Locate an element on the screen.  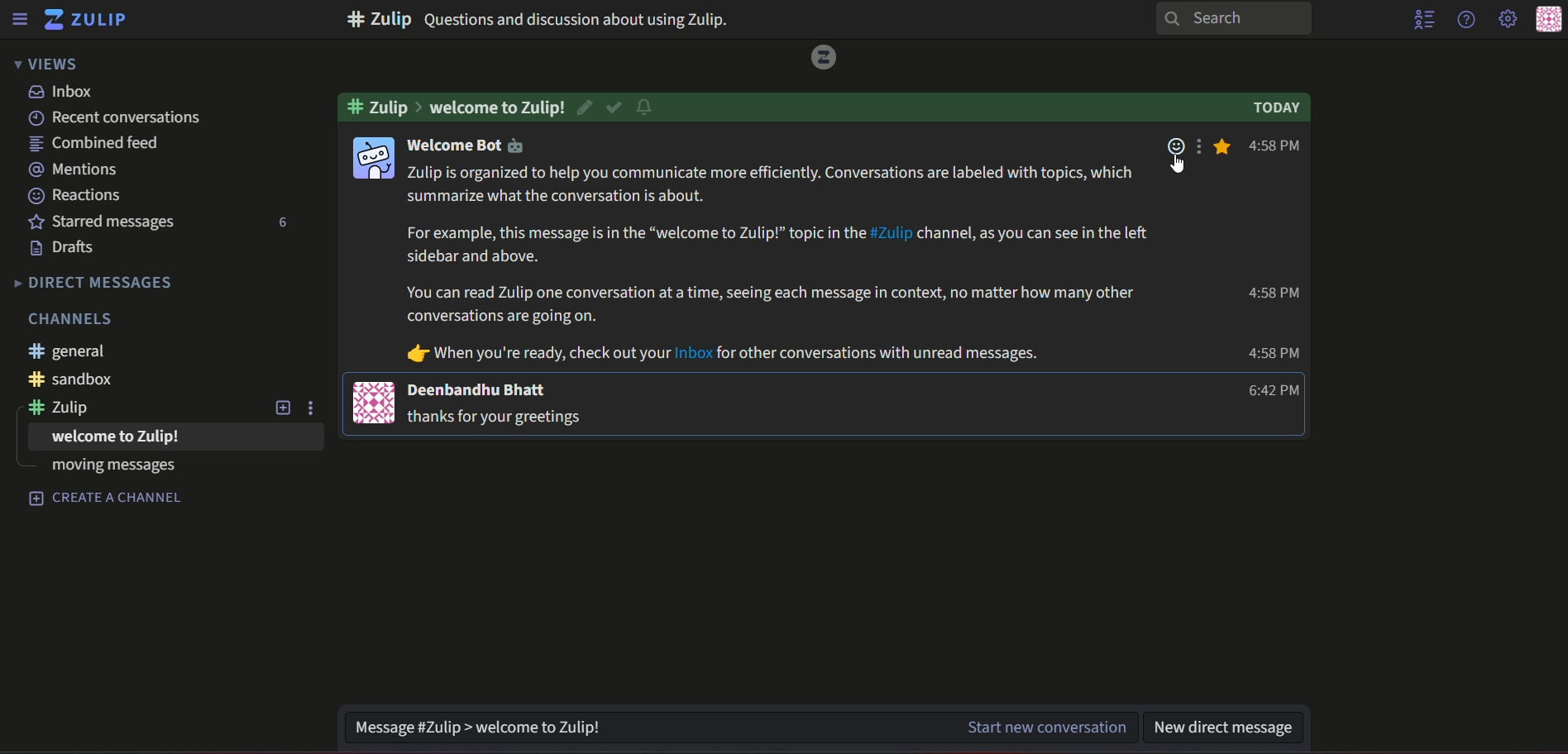
time is located at coordinates (1269, 354).